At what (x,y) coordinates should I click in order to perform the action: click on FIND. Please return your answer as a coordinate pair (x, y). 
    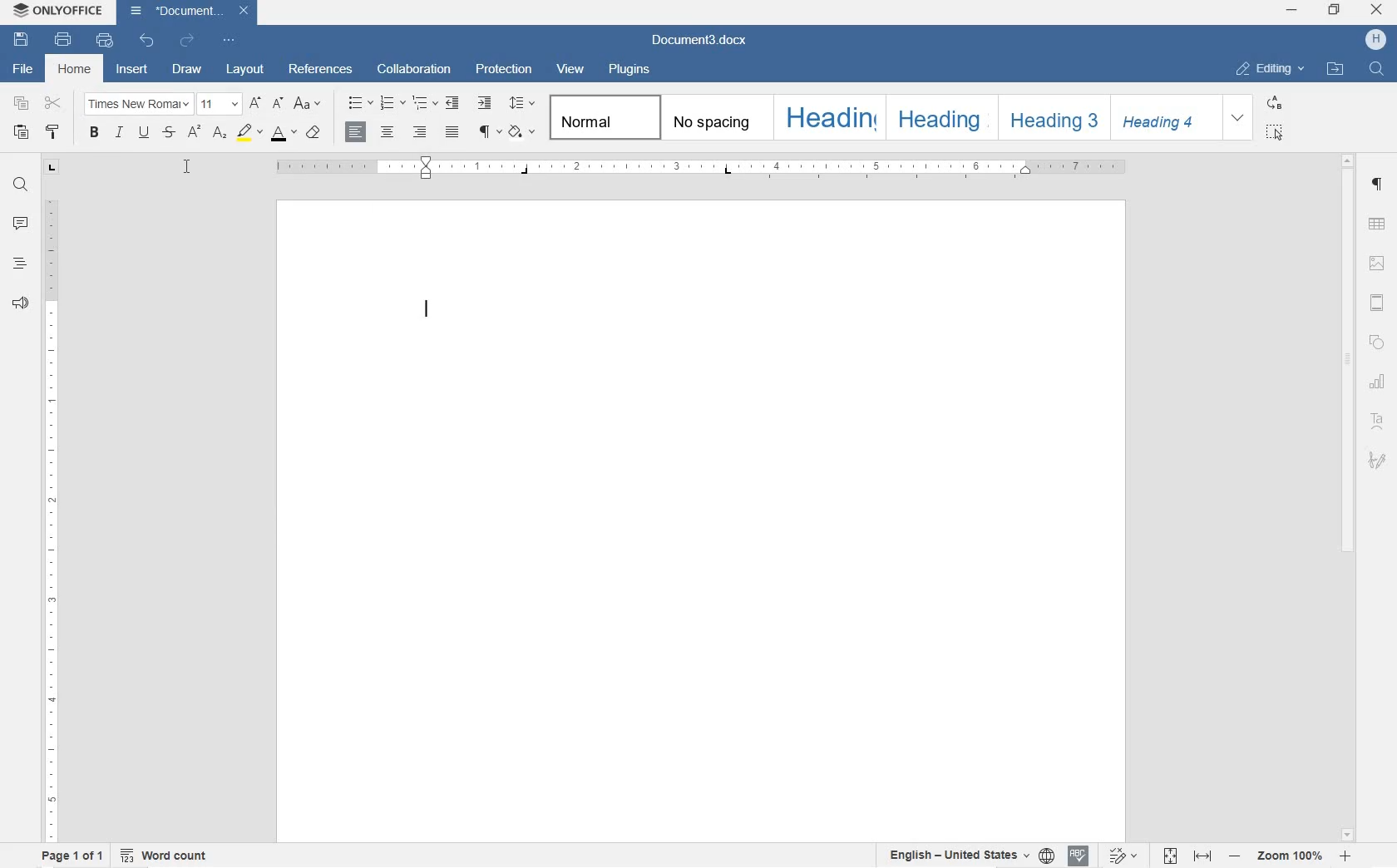
    Looking at the image, I should click on (1376, 68).